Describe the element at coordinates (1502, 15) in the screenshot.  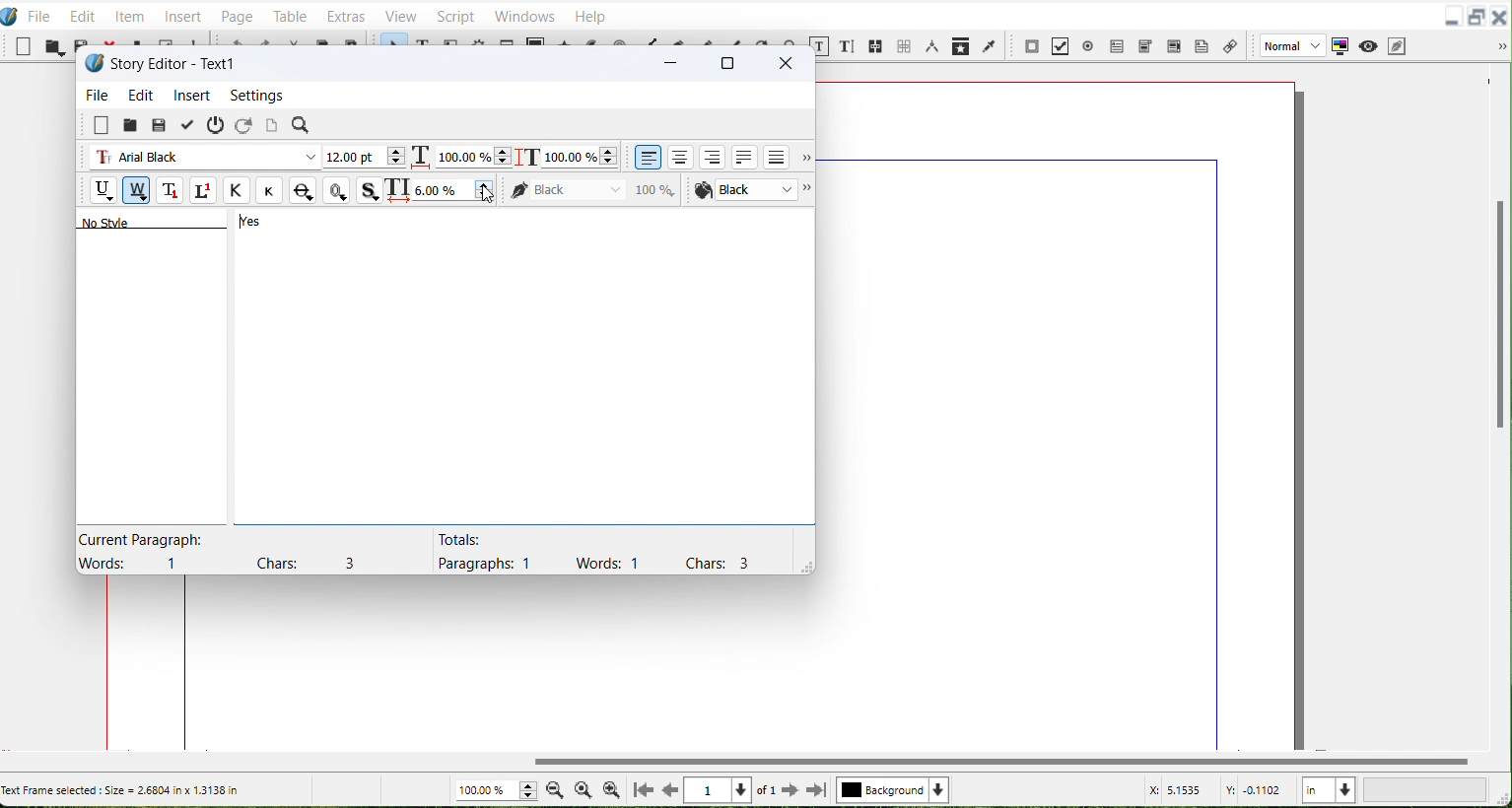
I see `Close` at that location.